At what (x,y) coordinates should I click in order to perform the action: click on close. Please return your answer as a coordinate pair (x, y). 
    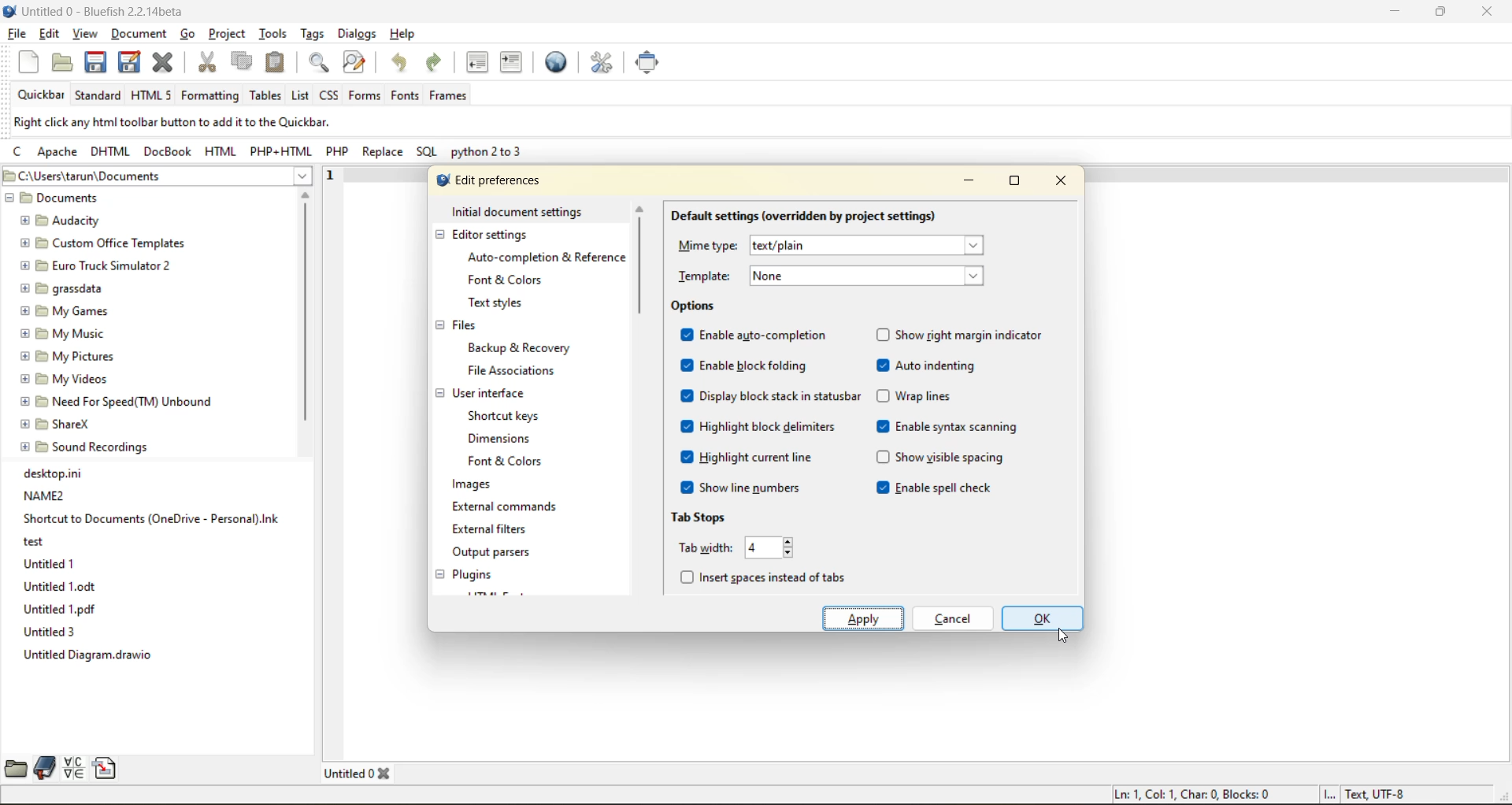
    Looking at the image, I should click on (1486, 12).